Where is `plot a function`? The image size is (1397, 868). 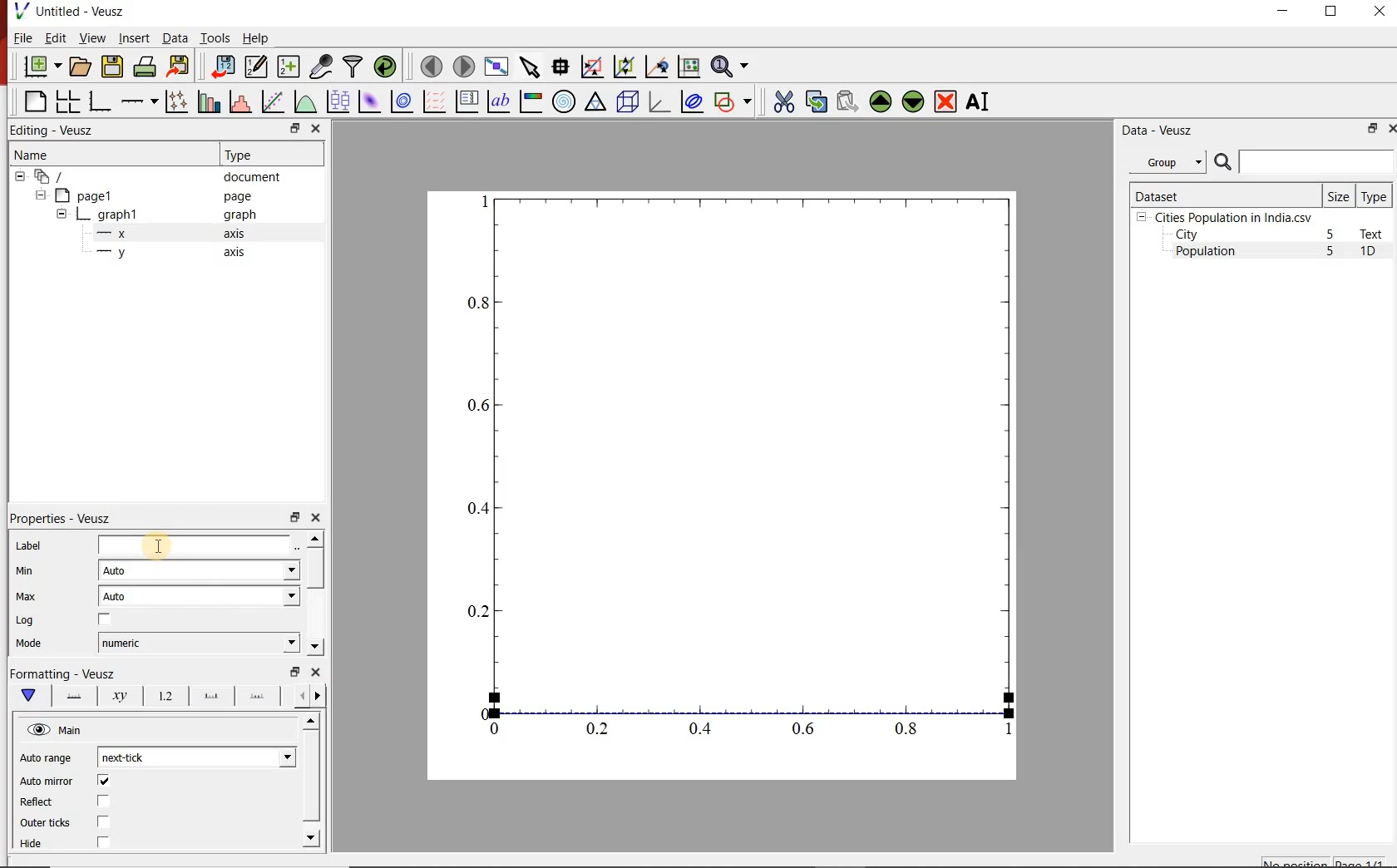
plot a function is located at coordinates (304, 101).